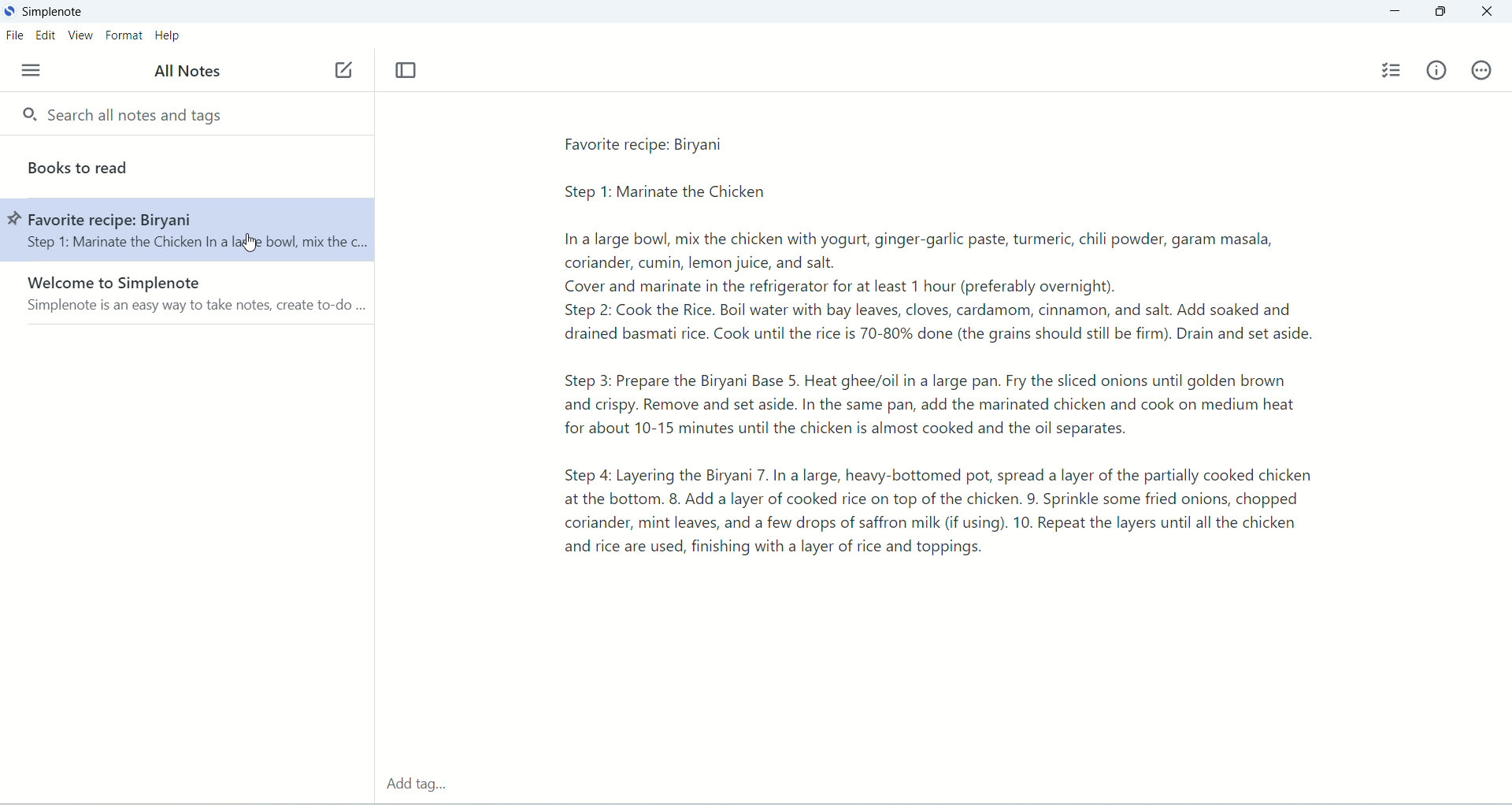 The height and width of the screenshot is (805, 1512). What do you see at coordinates (1481, 70) in the screenshot?
I see `actions` at bounding box center [1481, 70].